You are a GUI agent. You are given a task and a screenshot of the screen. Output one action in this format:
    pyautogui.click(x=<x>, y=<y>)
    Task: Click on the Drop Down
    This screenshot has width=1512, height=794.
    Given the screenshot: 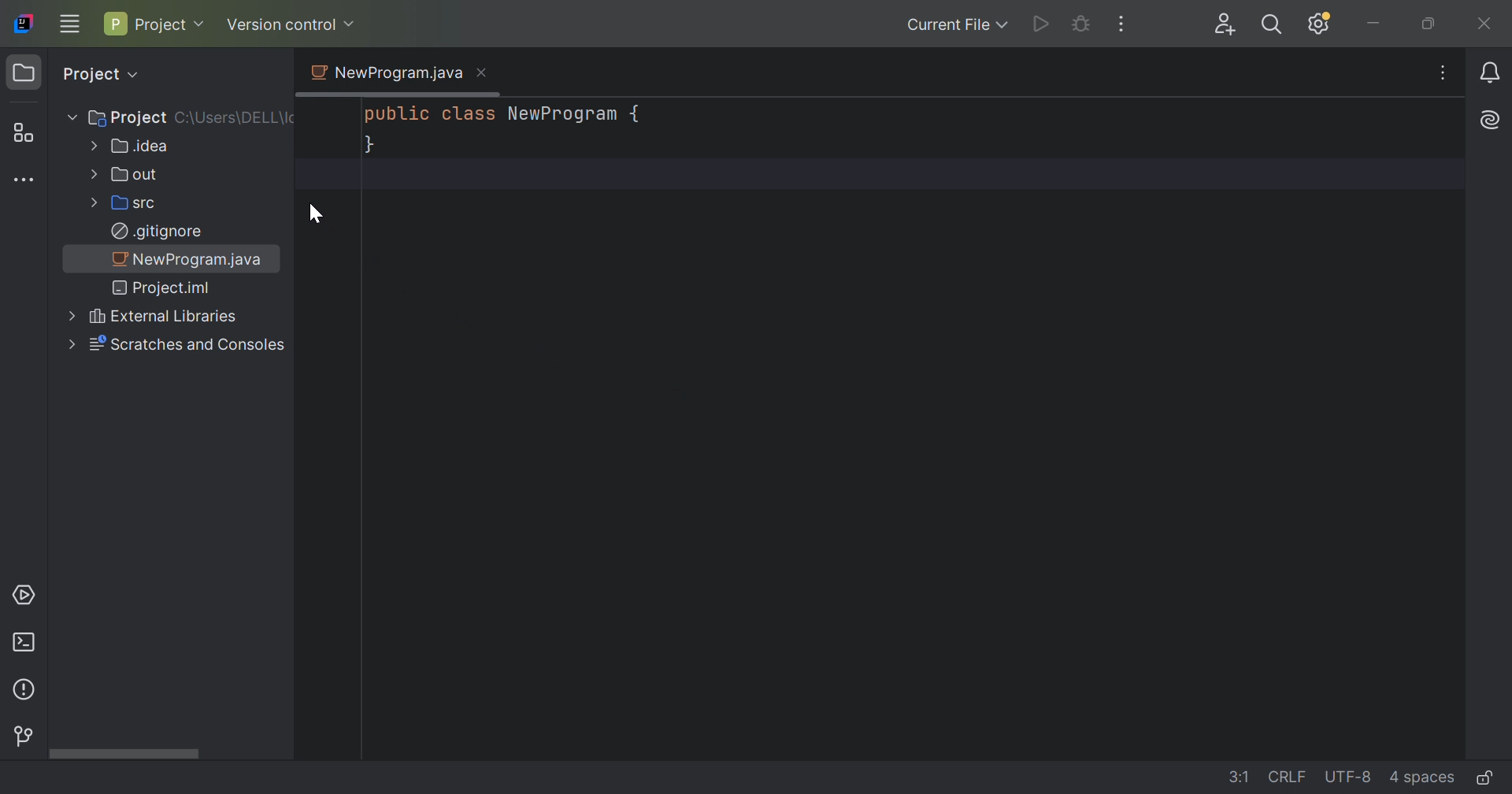 What is the action you would take?
    pyautogui.click(x=1005, y=25)
    